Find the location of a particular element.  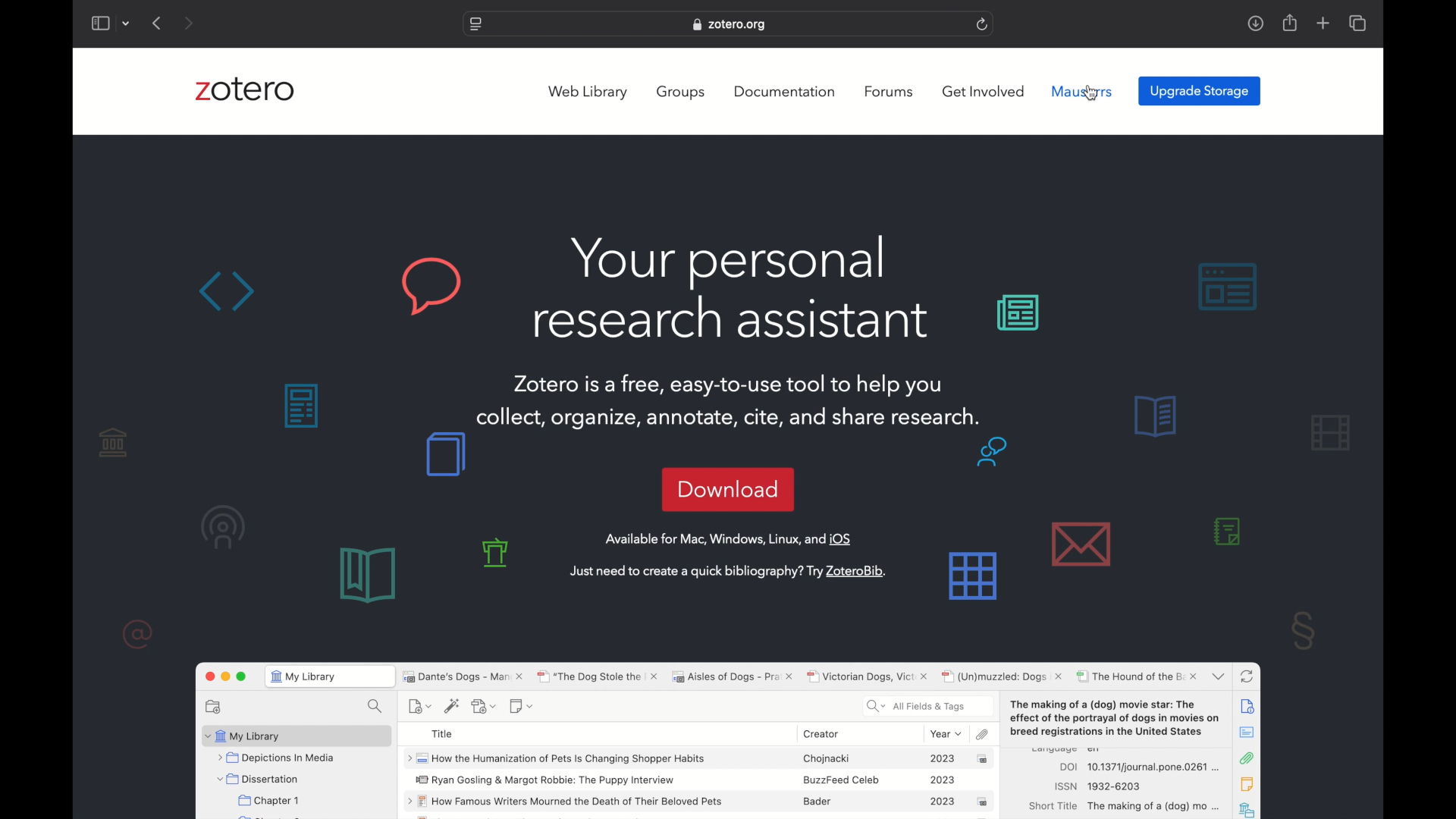

show sidebar is located at coordinates (99, 23).